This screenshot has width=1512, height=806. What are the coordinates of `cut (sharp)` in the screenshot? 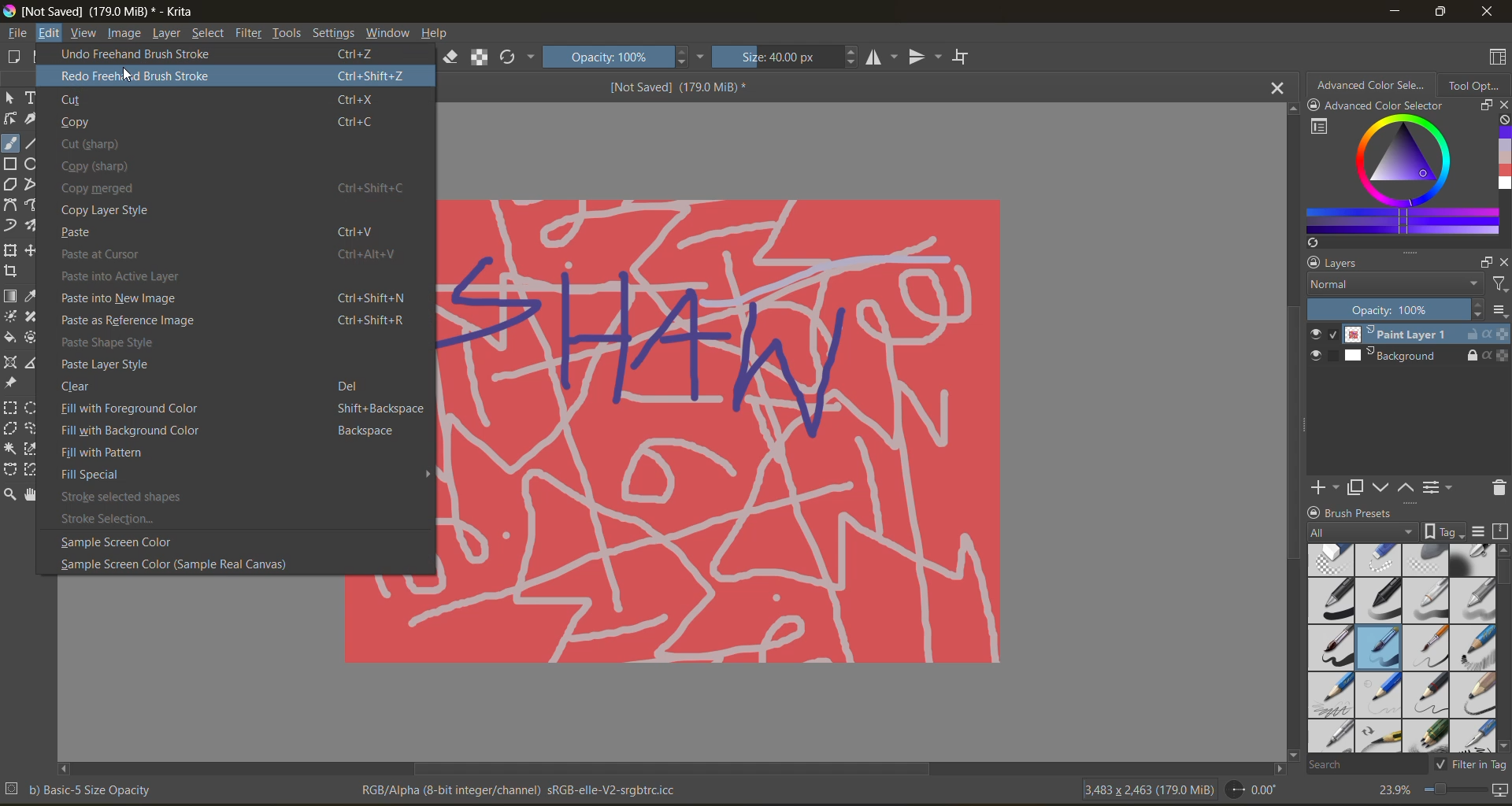 It's located at (98, 144).